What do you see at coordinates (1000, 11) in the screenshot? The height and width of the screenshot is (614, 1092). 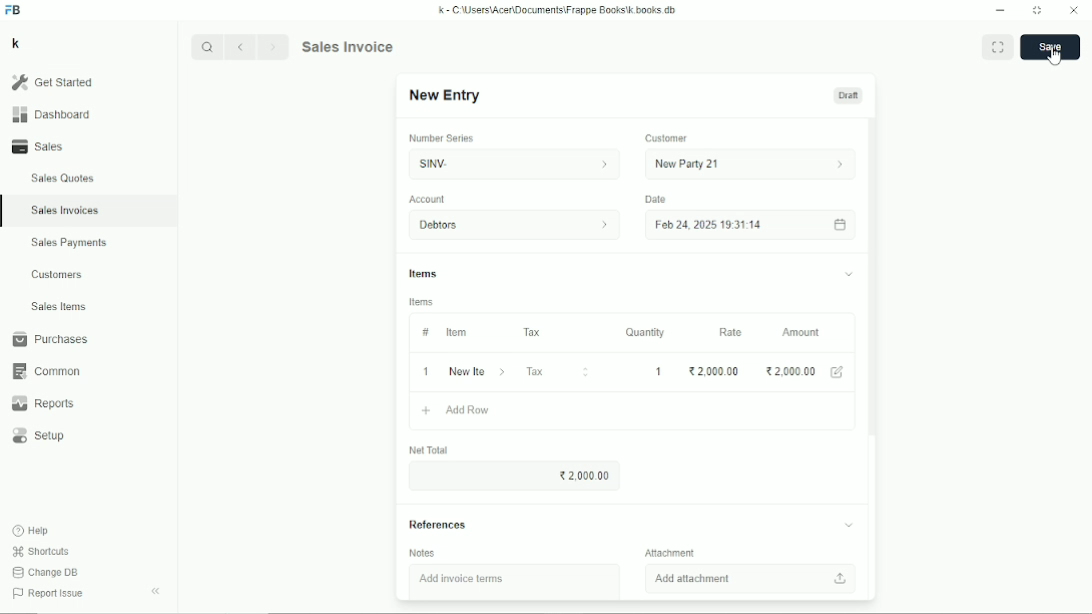 I see `Minimize` at bounding box center [1000, 11].